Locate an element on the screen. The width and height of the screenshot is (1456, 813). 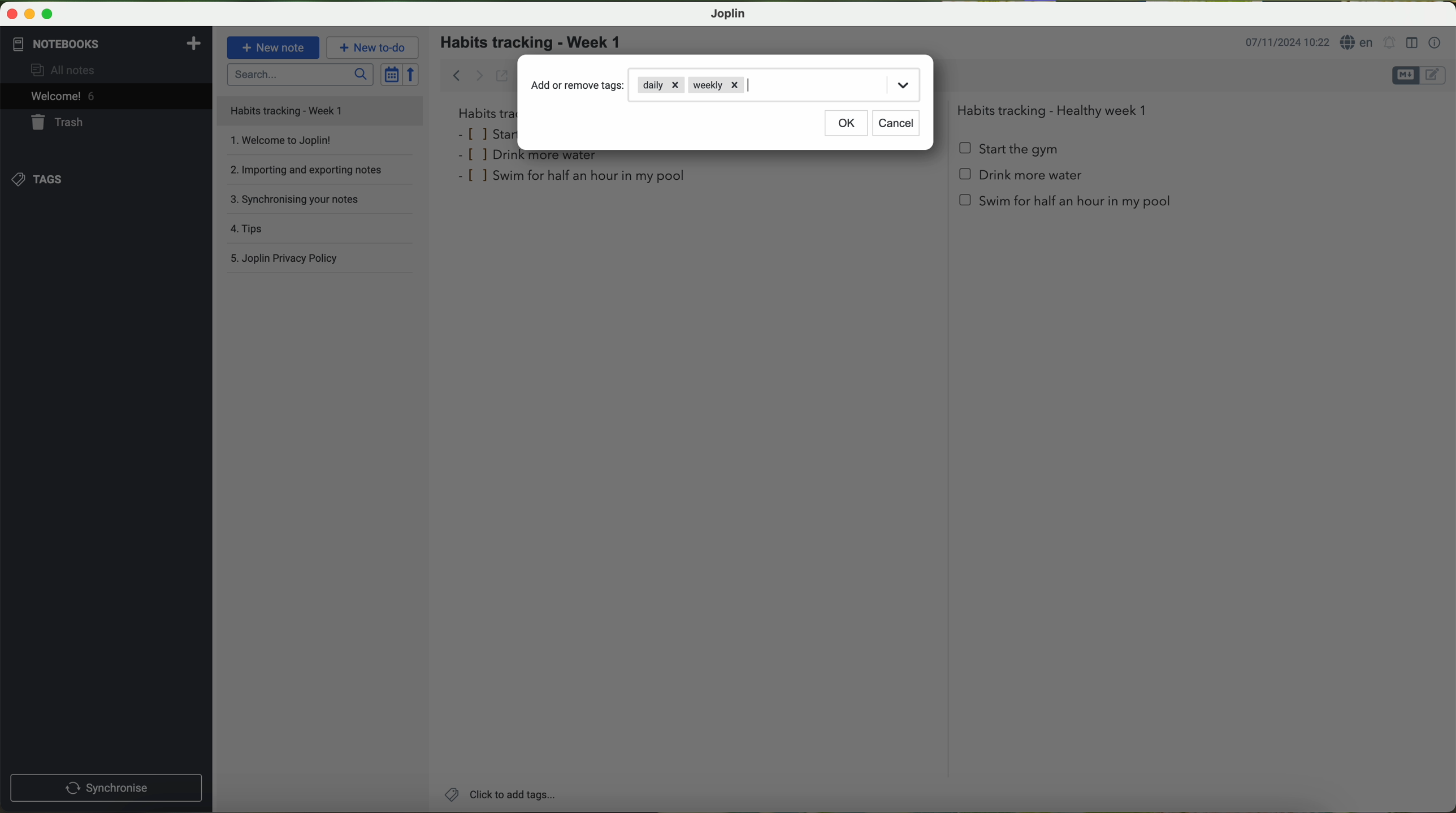
Habits tracking - Healthy week 1 is located at coordinates (1057, 108).